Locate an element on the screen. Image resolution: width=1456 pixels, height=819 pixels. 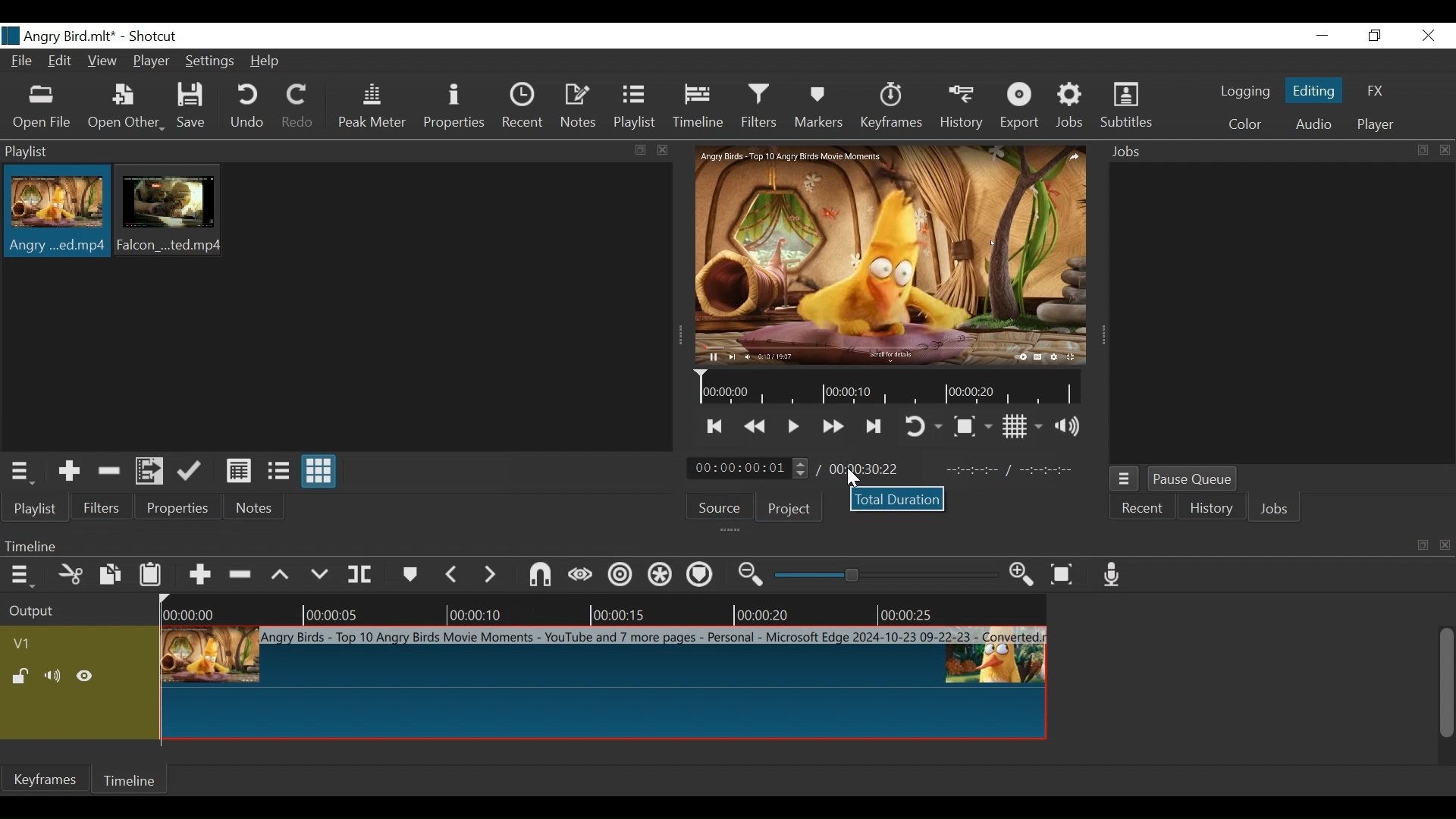
Open File is located at coordinates (42, 106).